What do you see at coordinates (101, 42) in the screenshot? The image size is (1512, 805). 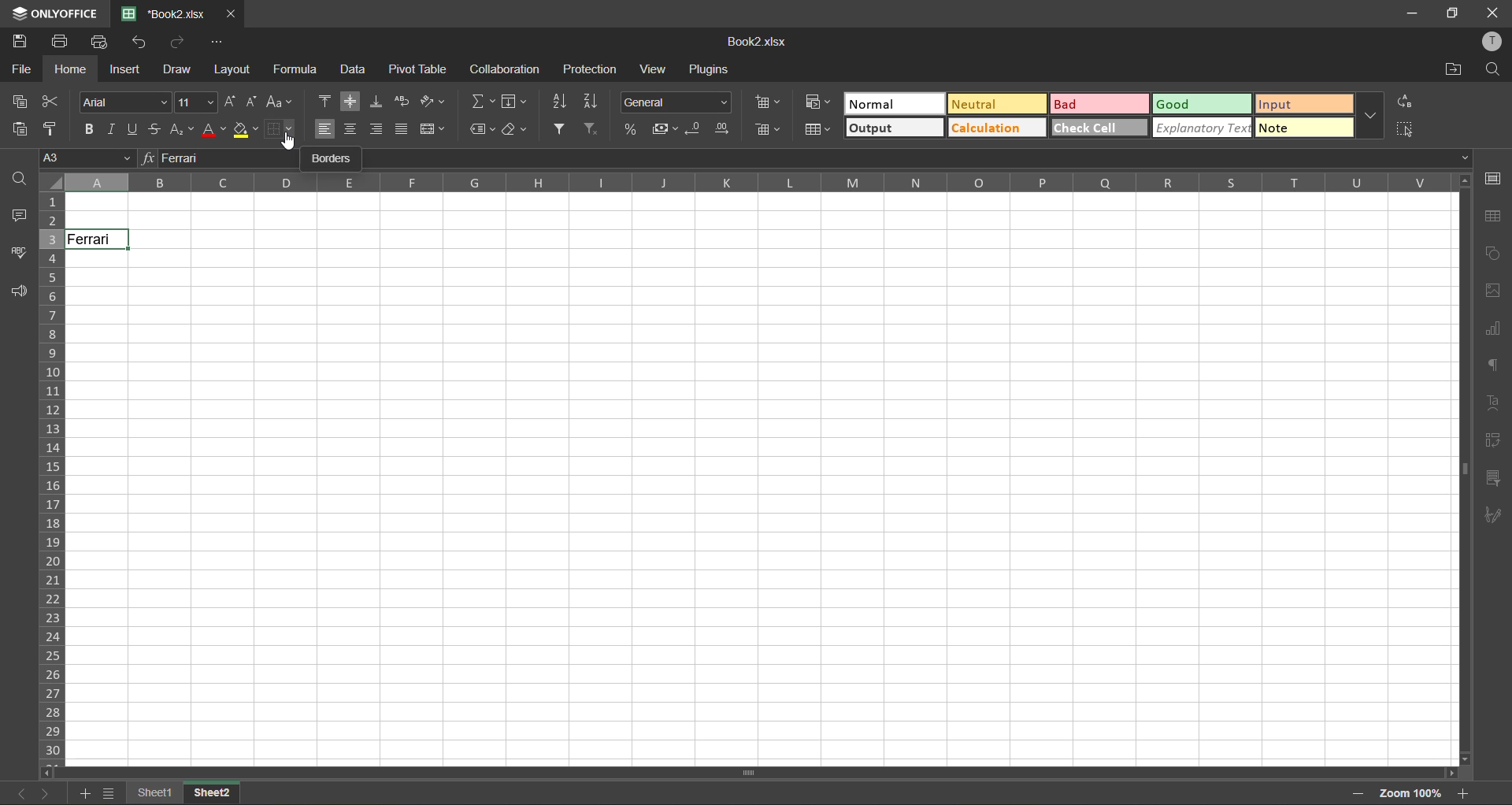 I see `quick print` at bounding box center [101, 42].